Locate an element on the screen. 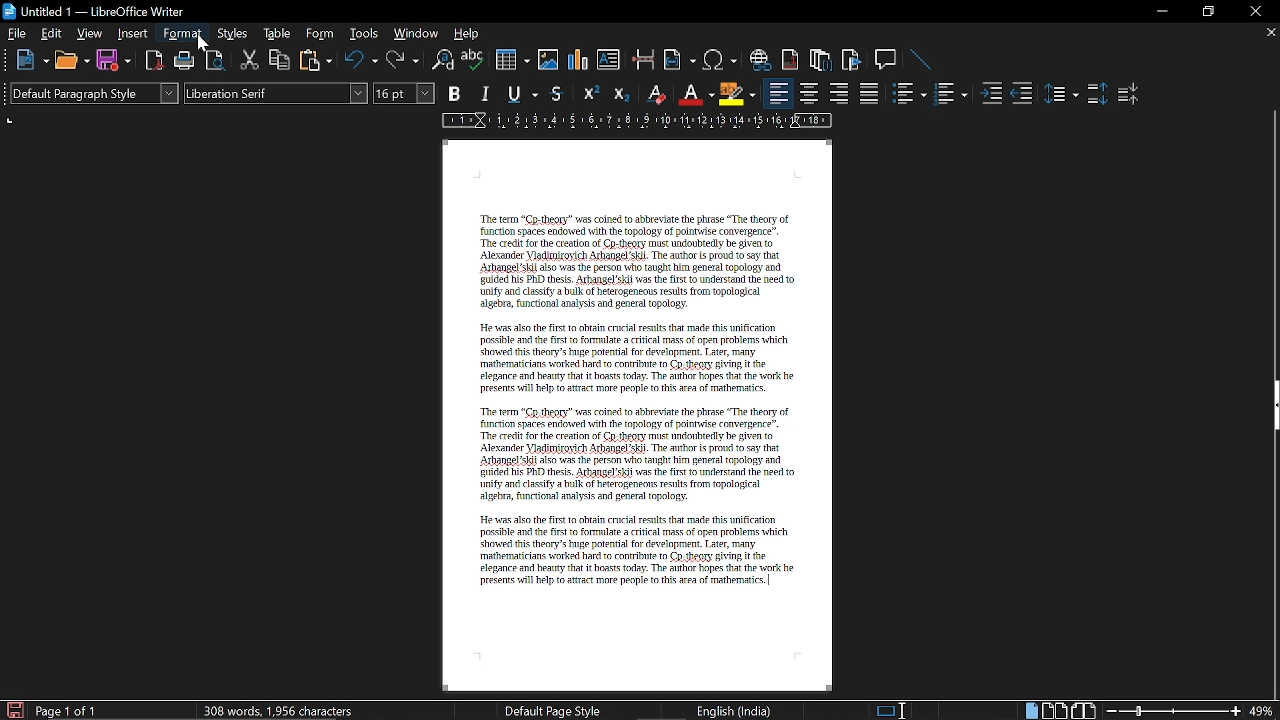 This screenshot has width=1280, height=720. Text size is located at coordinates (403, 93).